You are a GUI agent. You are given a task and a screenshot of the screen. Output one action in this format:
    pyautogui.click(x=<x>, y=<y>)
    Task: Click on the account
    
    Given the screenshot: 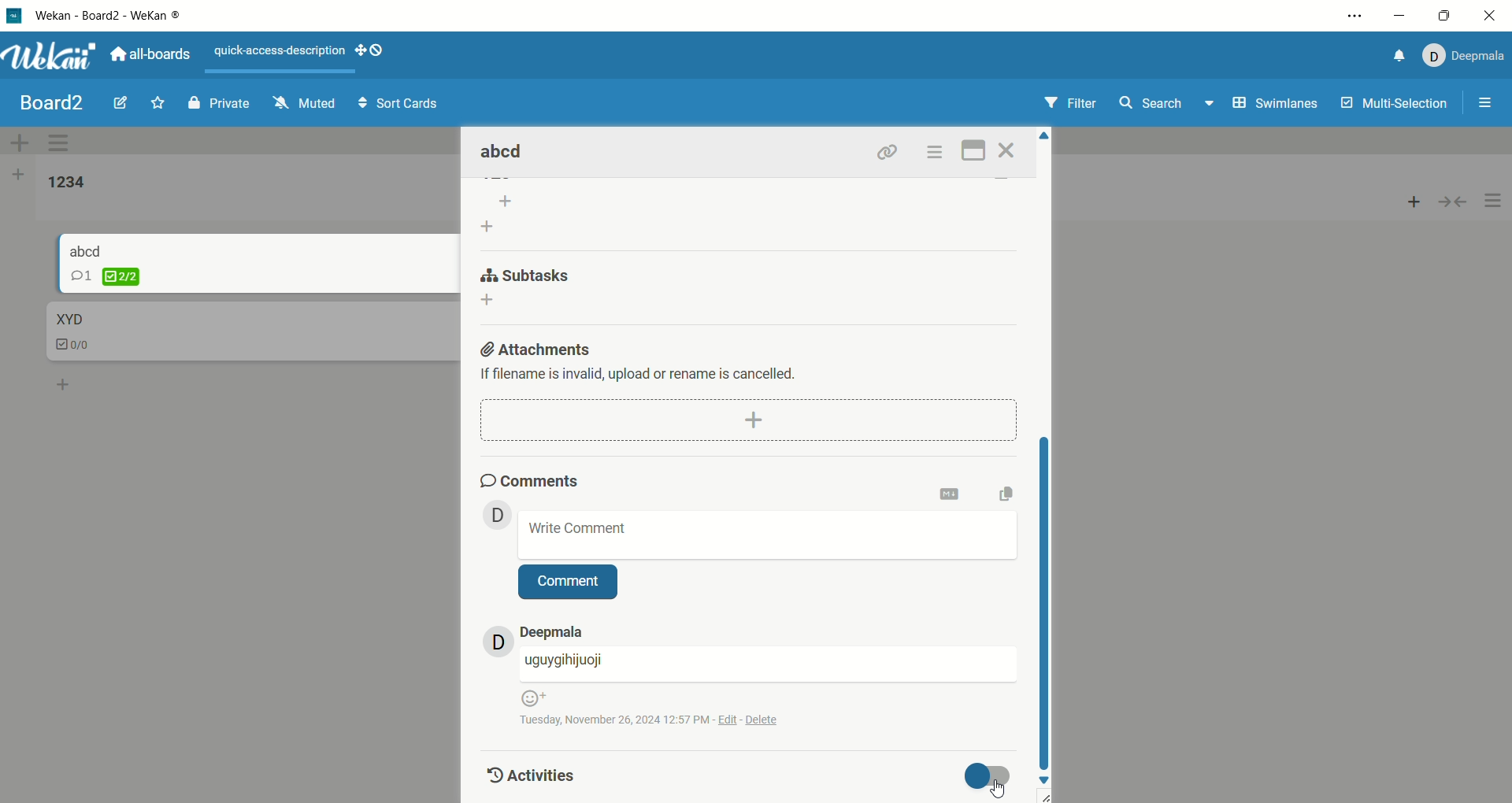 What is the action you would take?
    pyautogui.click(x=552, y=632)
    